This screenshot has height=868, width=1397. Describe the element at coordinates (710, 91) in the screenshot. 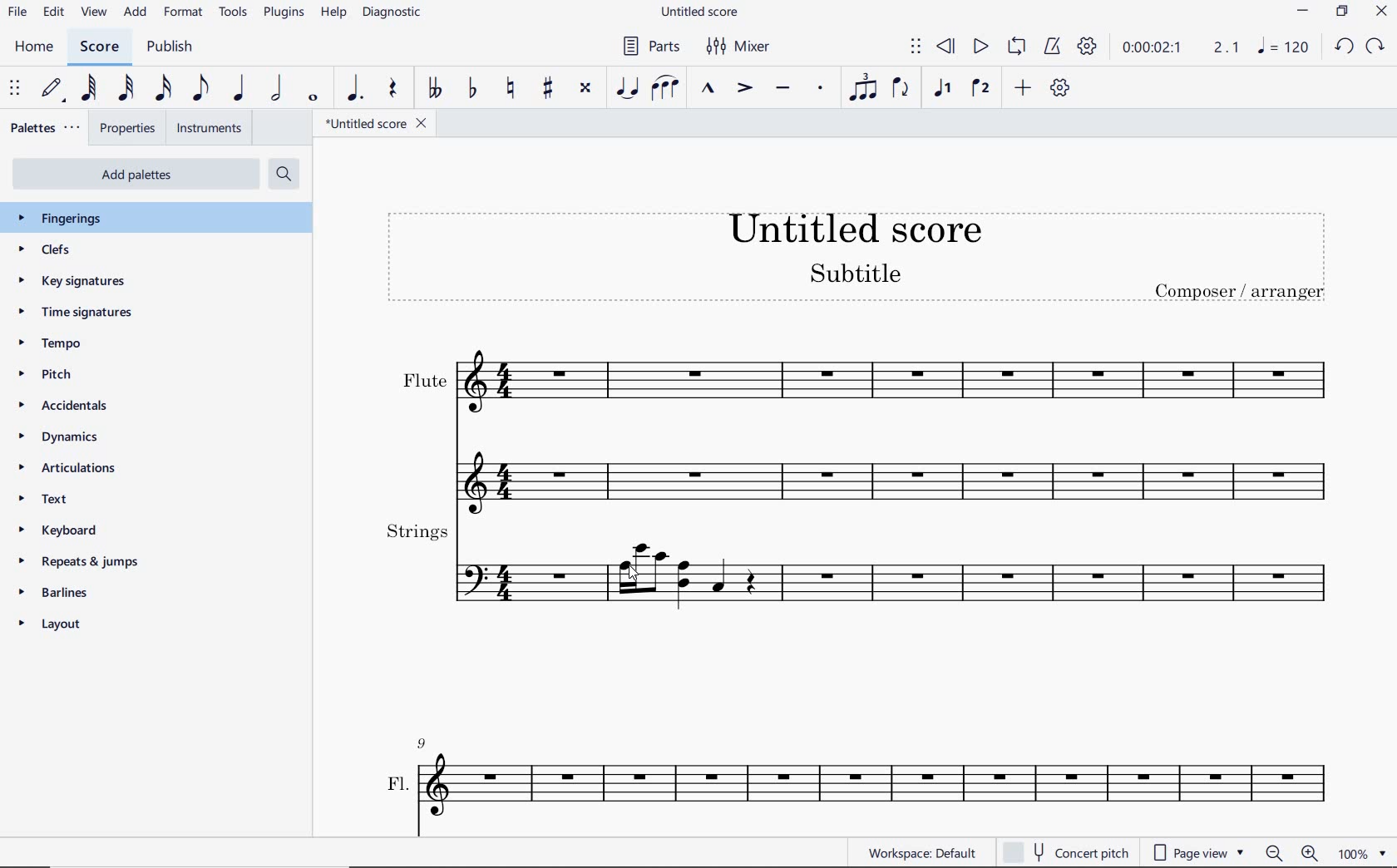

I see `marcato` at that location.